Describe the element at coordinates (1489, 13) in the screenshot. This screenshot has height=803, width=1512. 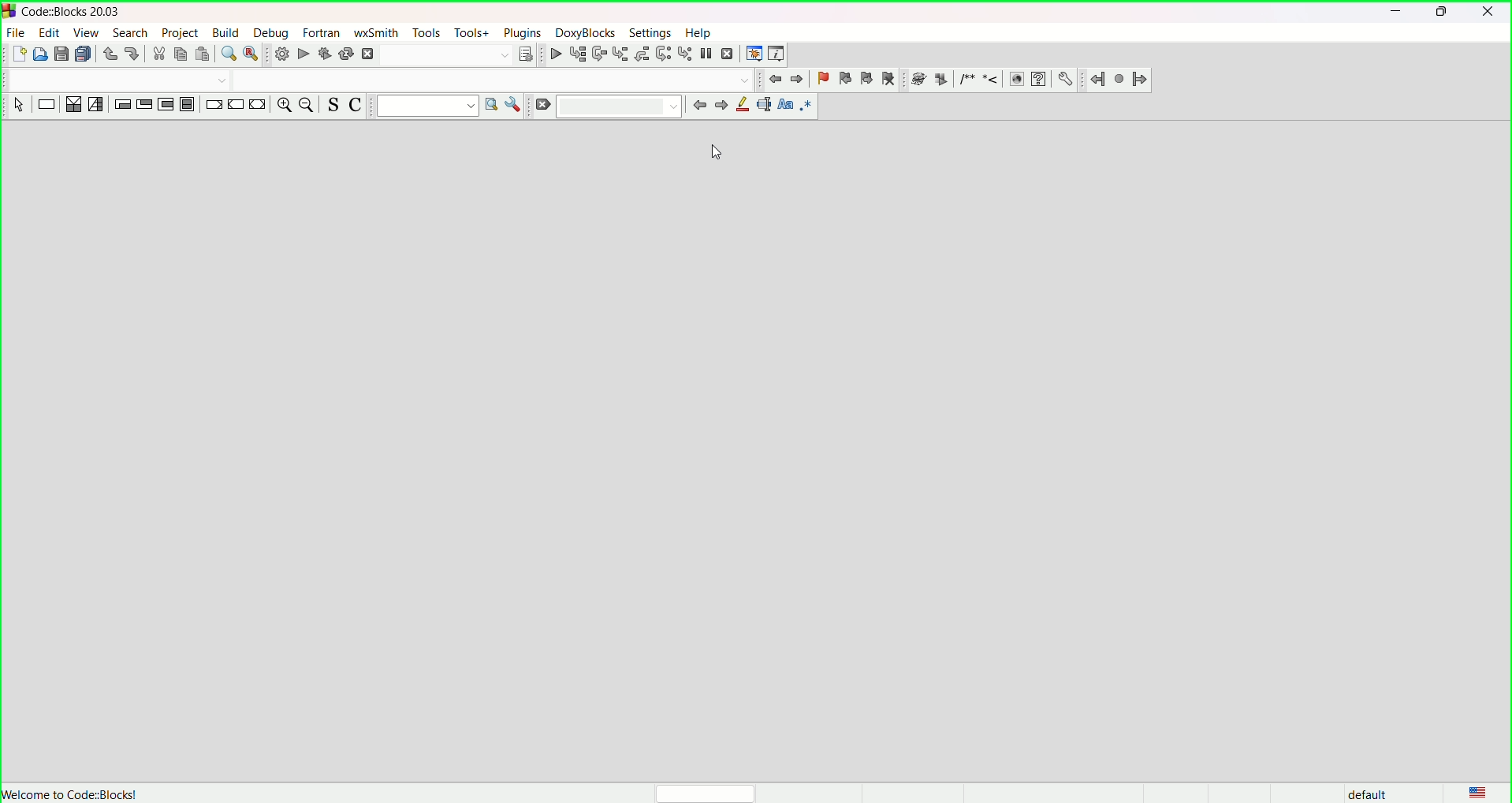
I see `close` at that location.